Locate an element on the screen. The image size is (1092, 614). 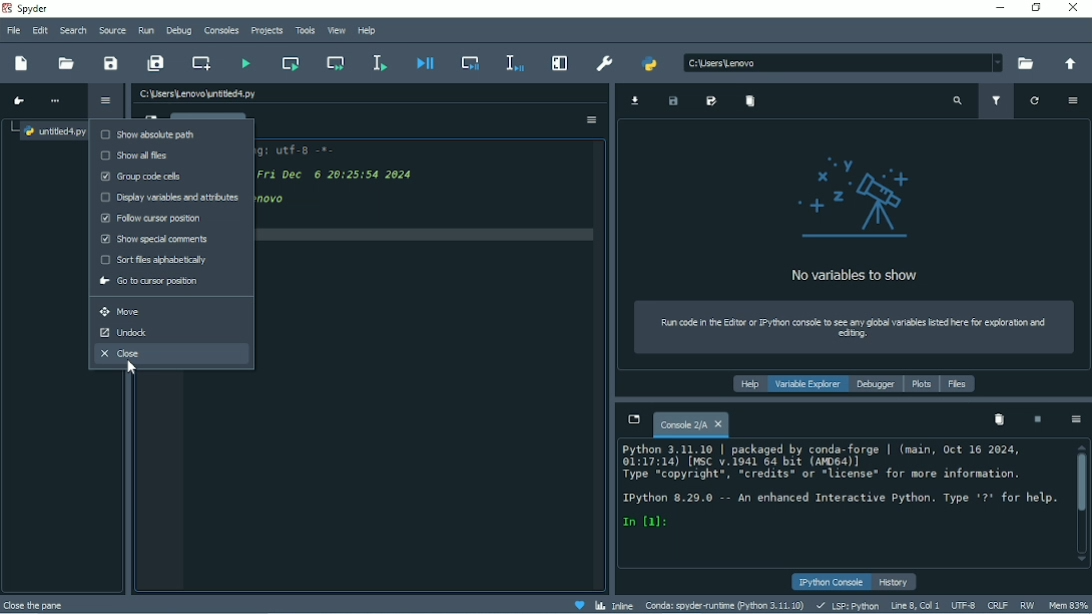
Sort files alphabetically is located at coordinates (157, 260).